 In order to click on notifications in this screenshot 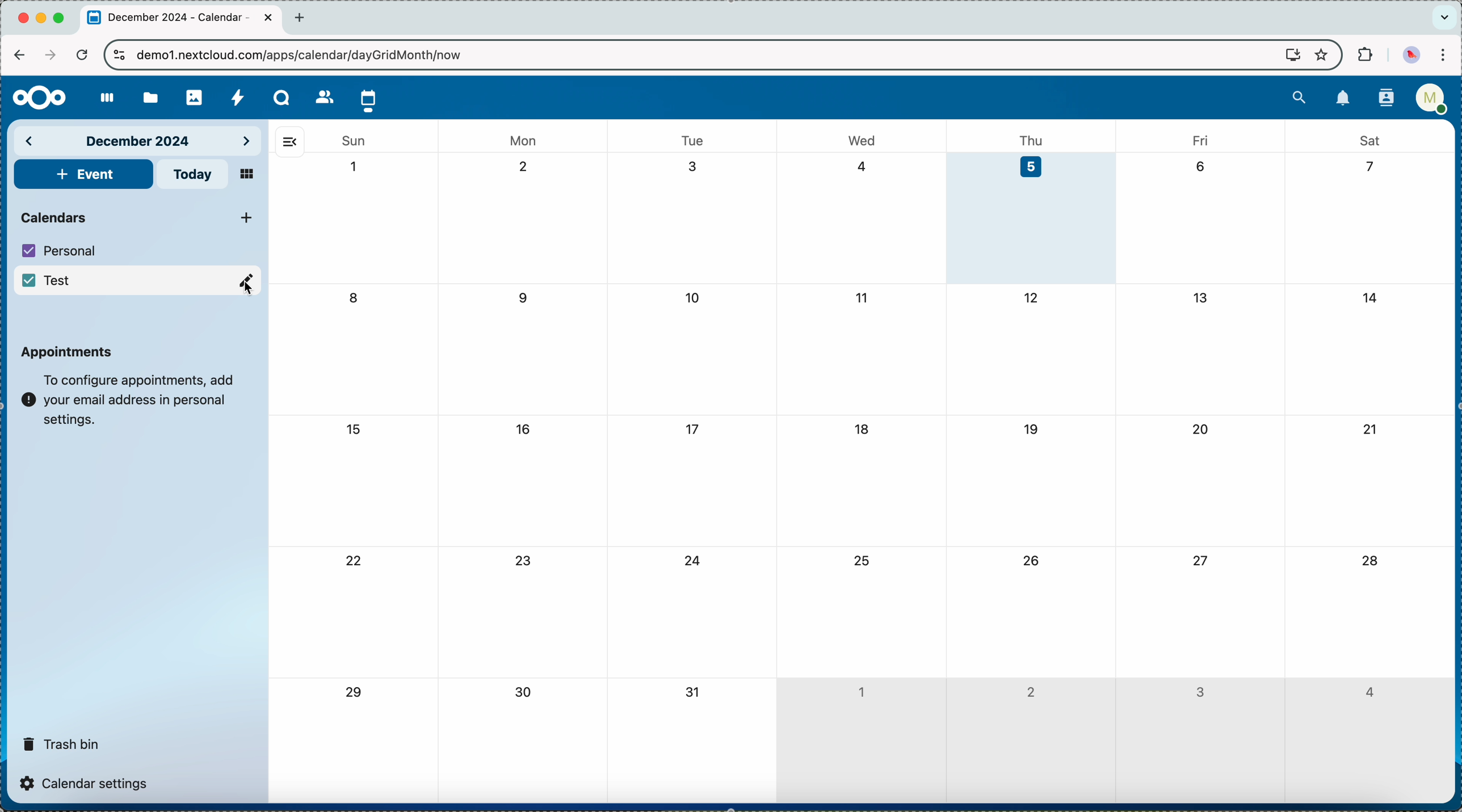, I will do `click(1343, 99)`.